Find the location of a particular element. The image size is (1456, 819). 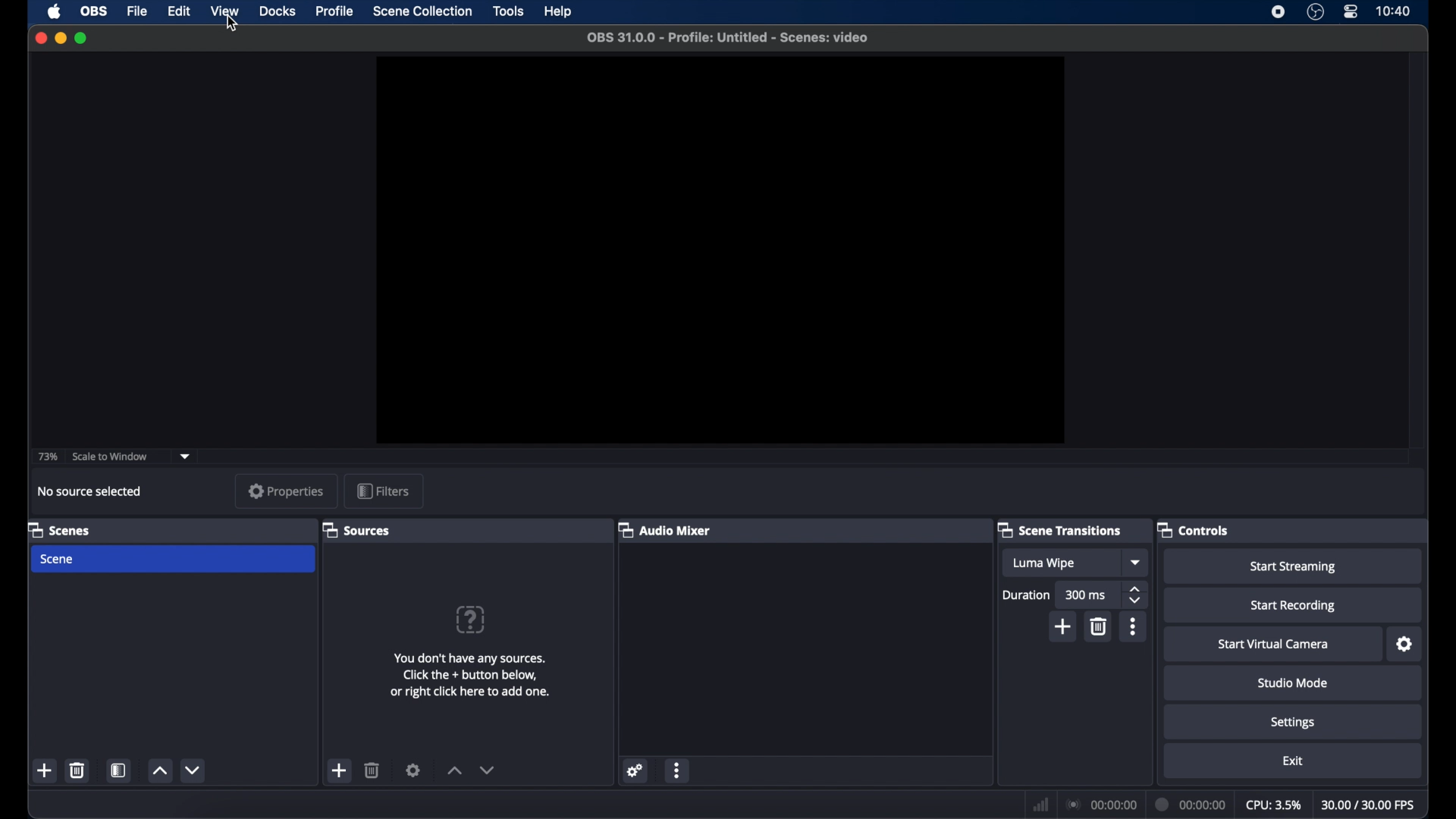

delete is located at coordinates (1097, 626).